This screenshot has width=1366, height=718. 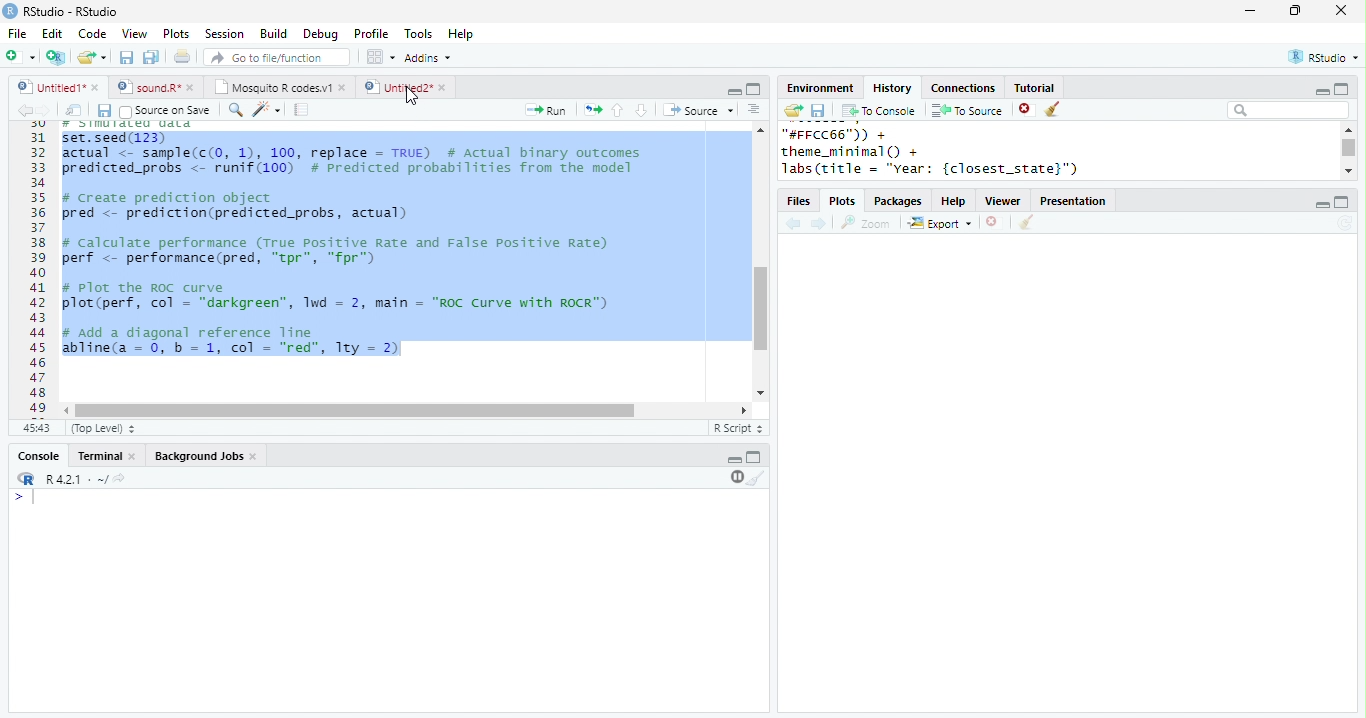 I want to click on Source on Save, so click(x=163, y=111).